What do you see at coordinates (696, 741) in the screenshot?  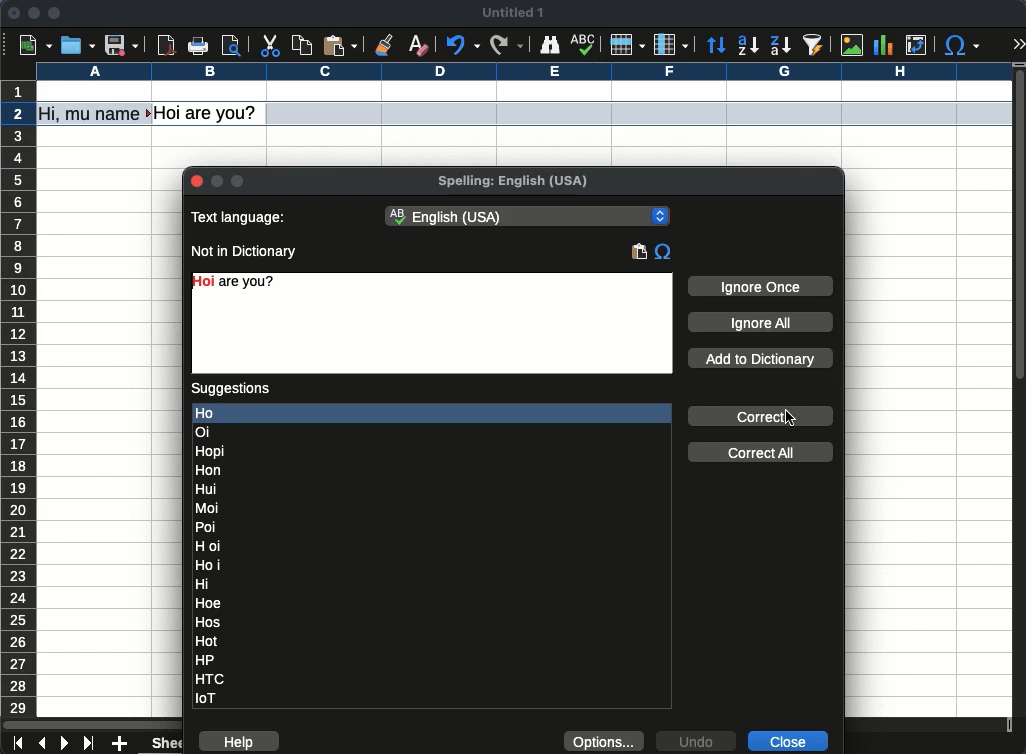 I see `undo` at bounding box center [696, 741].